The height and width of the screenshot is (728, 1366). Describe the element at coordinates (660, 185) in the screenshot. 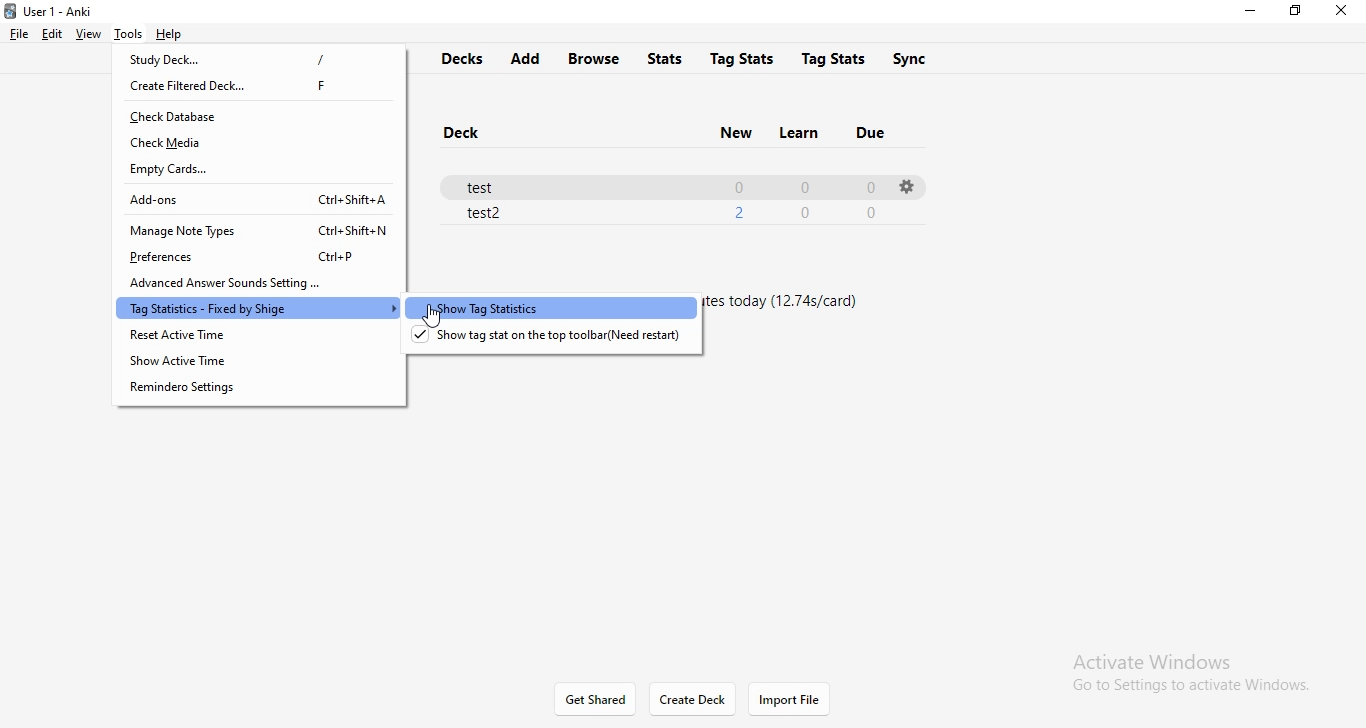

I see `test` at that location.